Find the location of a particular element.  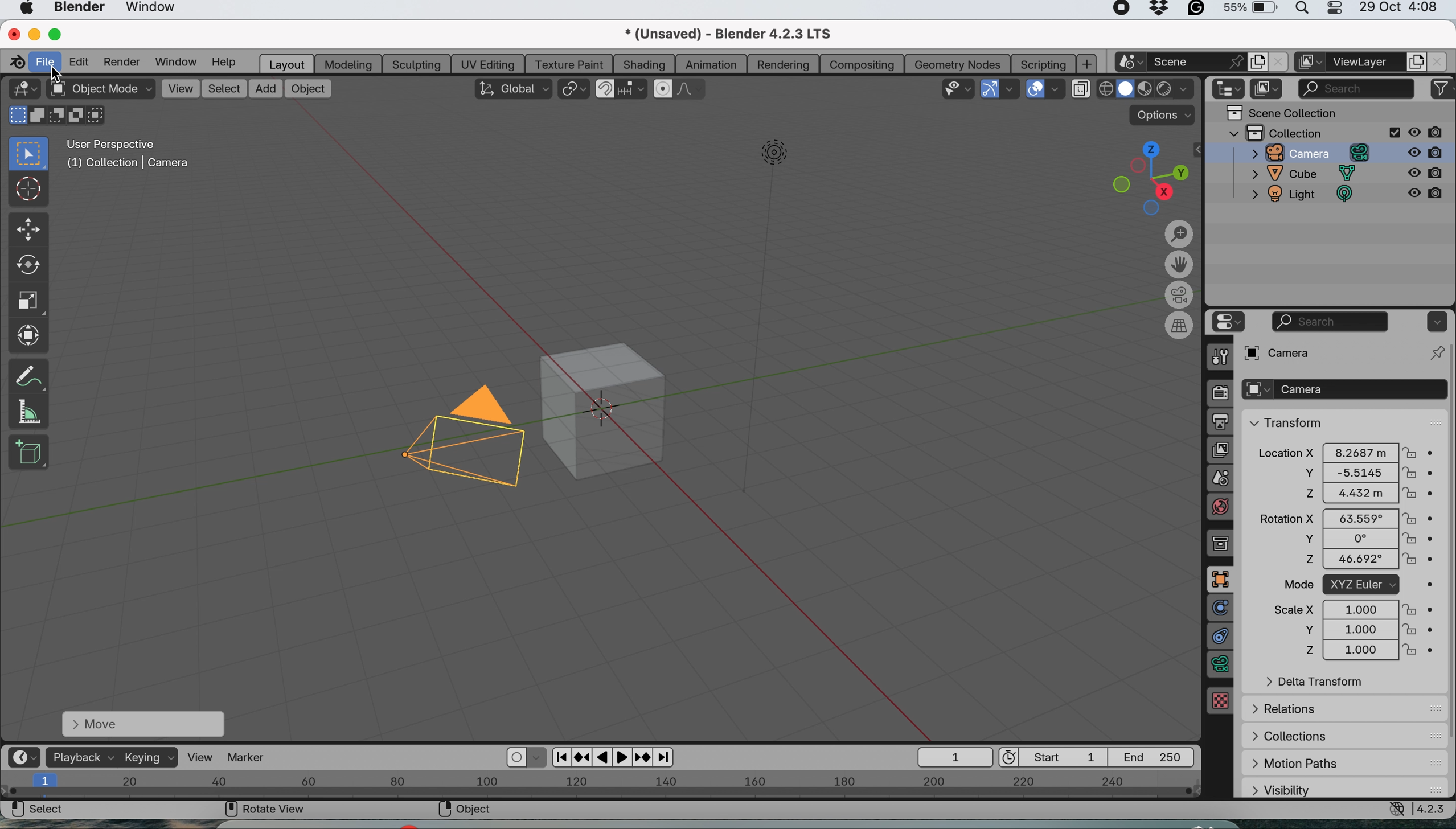

edit is located at coordinates (79, 61).